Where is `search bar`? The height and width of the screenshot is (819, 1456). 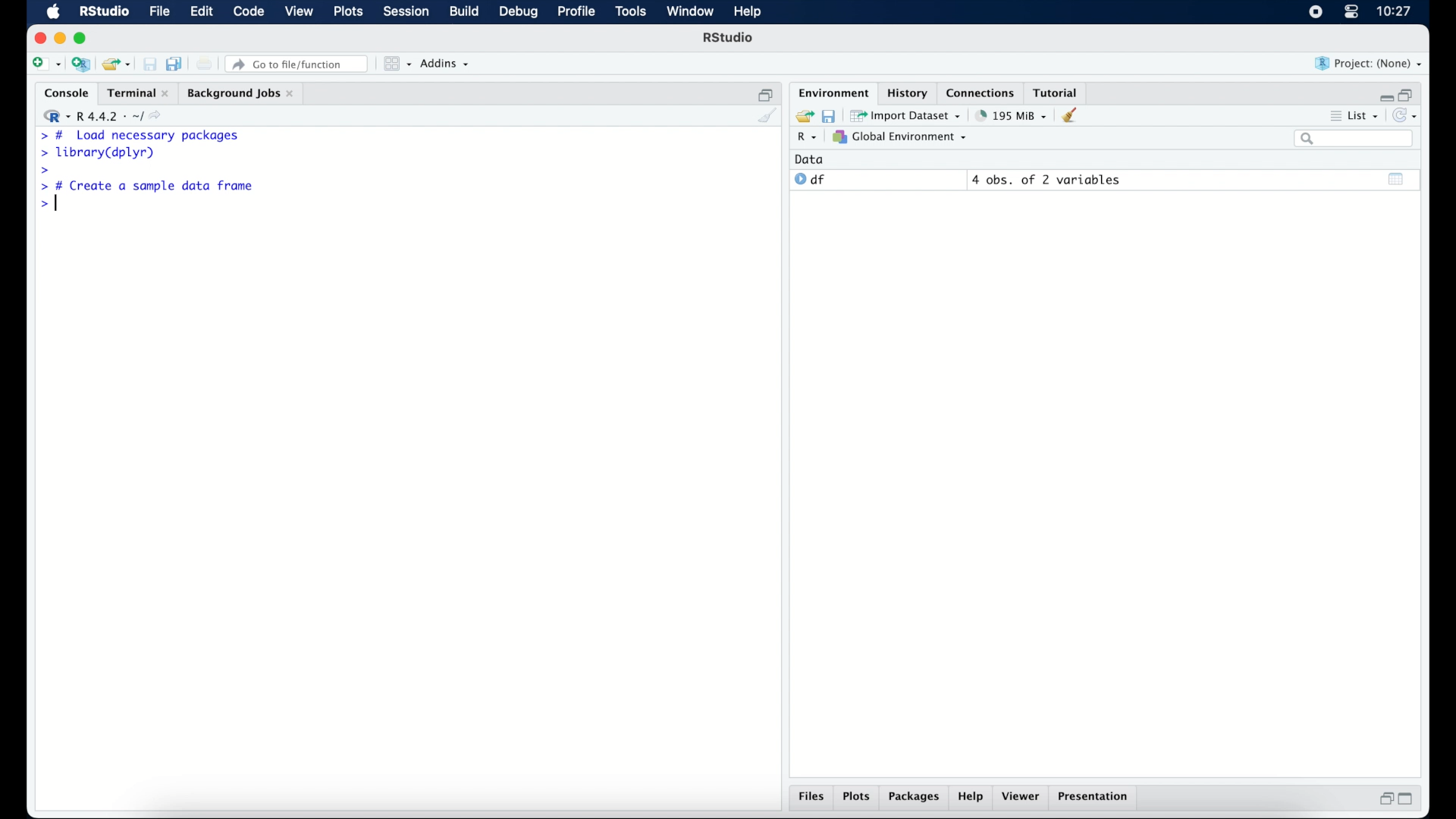
search bar is located at coordinates (1353, 140).